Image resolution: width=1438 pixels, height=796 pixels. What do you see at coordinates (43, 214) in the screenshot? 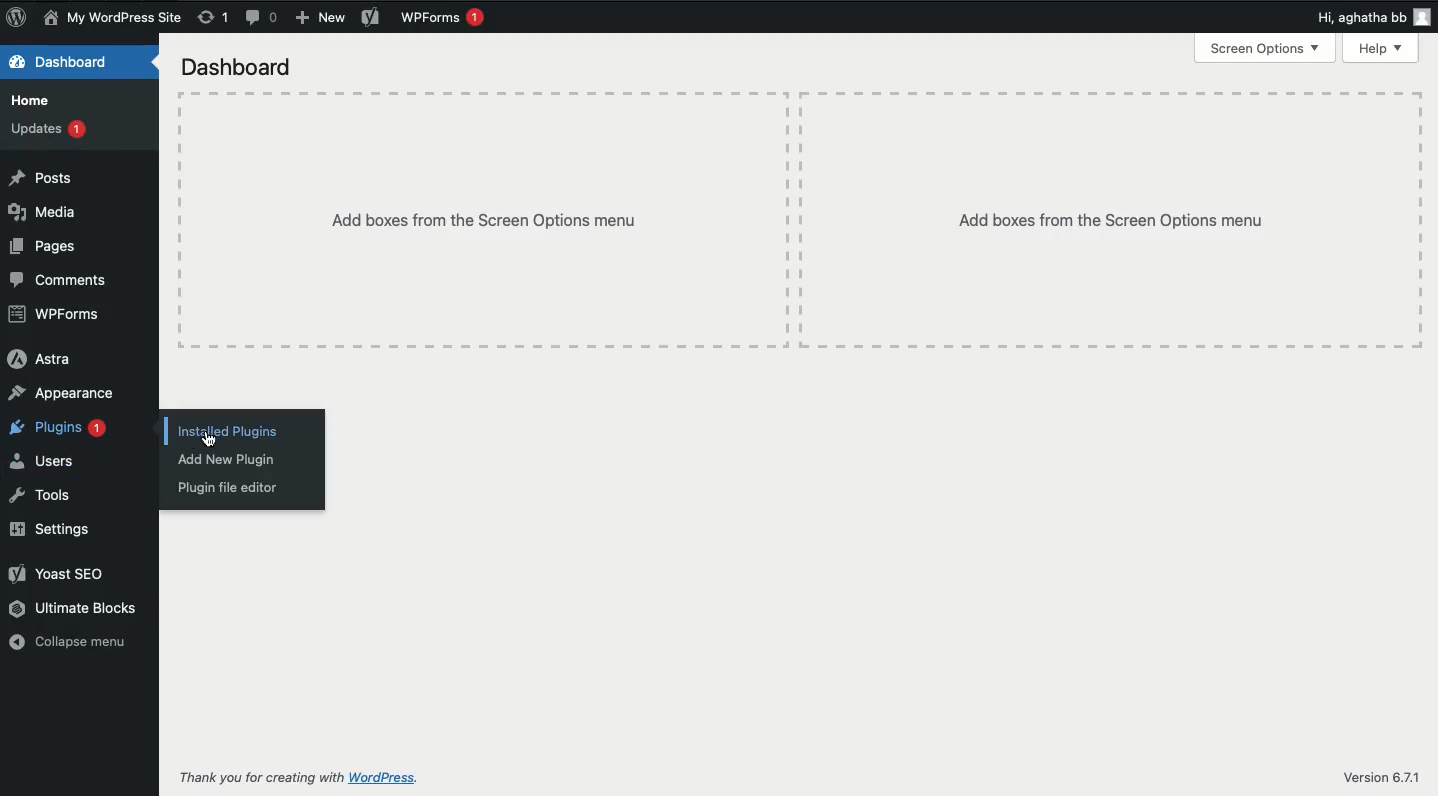
I see `Media` at bounding box center [43, 214].